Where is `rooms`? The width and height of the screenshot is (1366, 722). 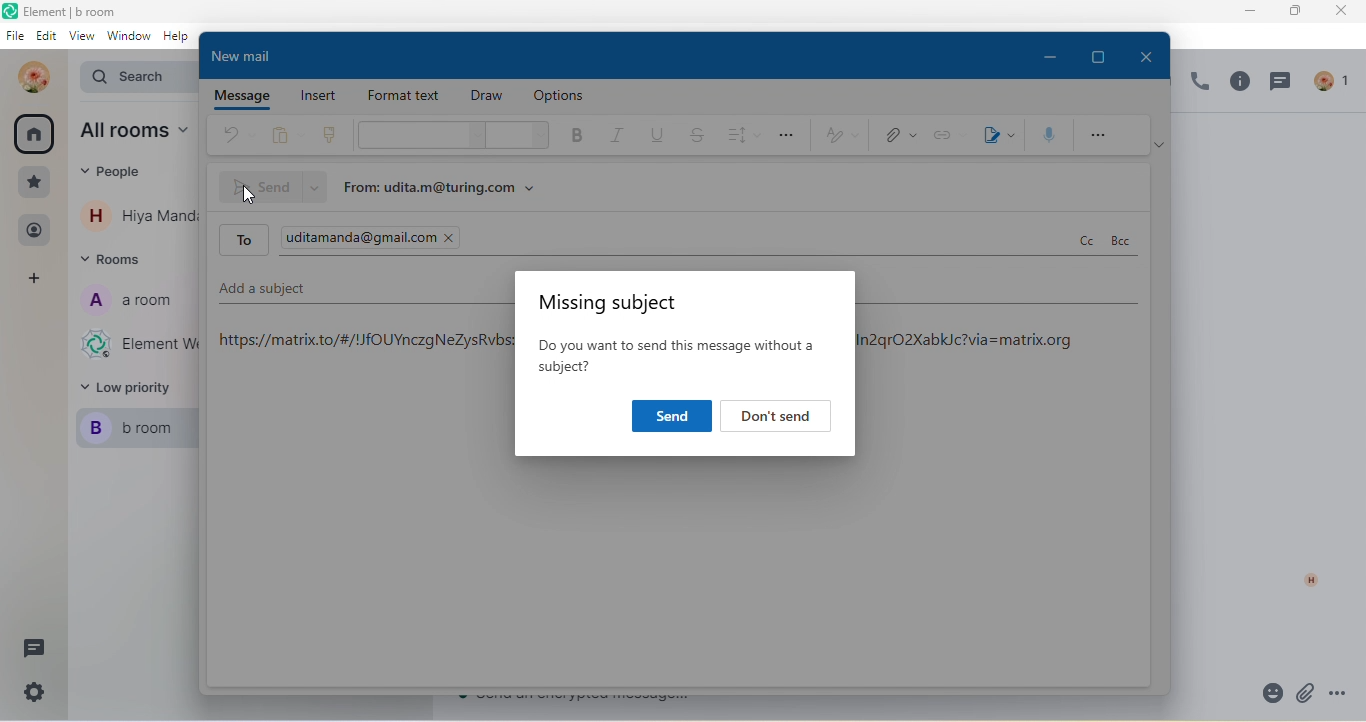 rooms is located at coordinates (116, 264).